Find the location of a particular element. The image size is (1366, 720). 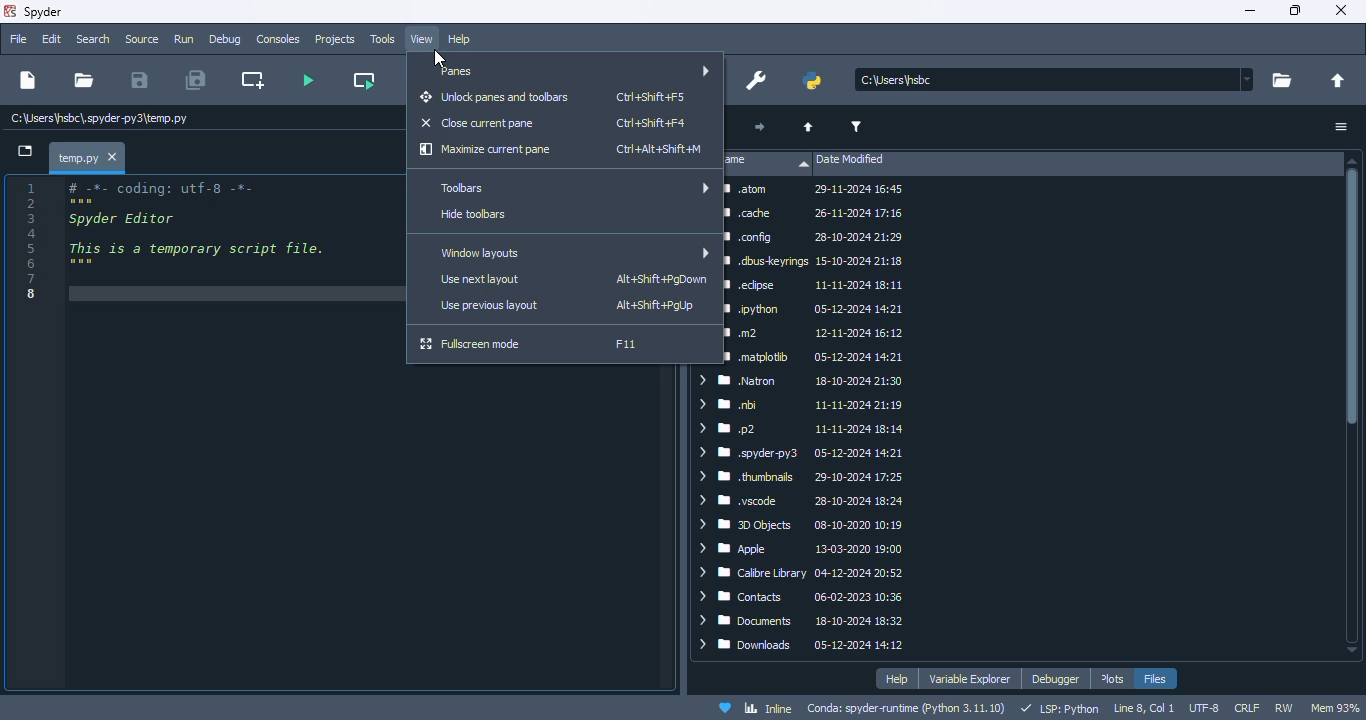

debug is located at coordinates (225, 38).